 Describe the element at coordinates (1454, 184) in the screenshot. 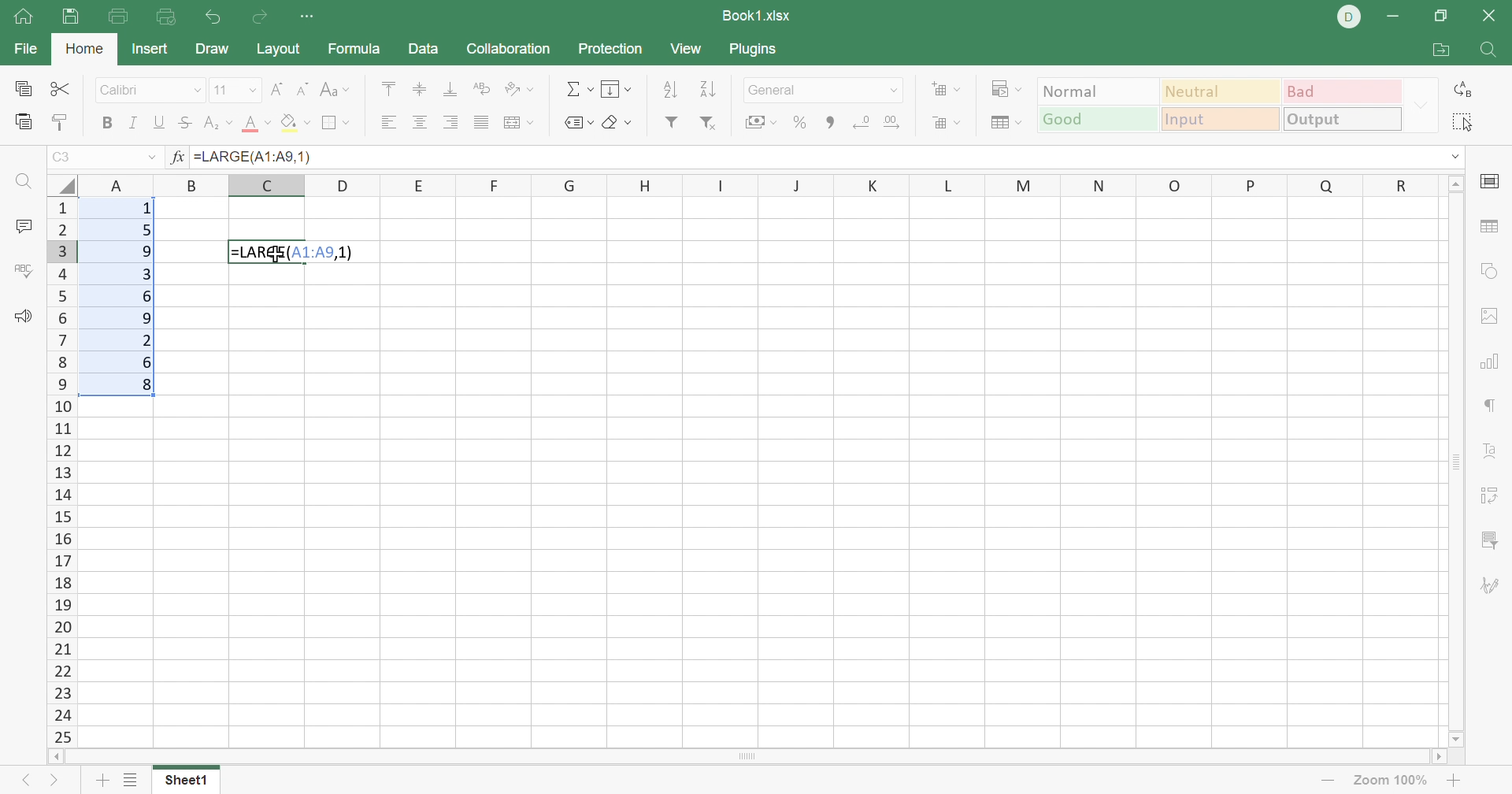

I see `Scroll Up` at that location.